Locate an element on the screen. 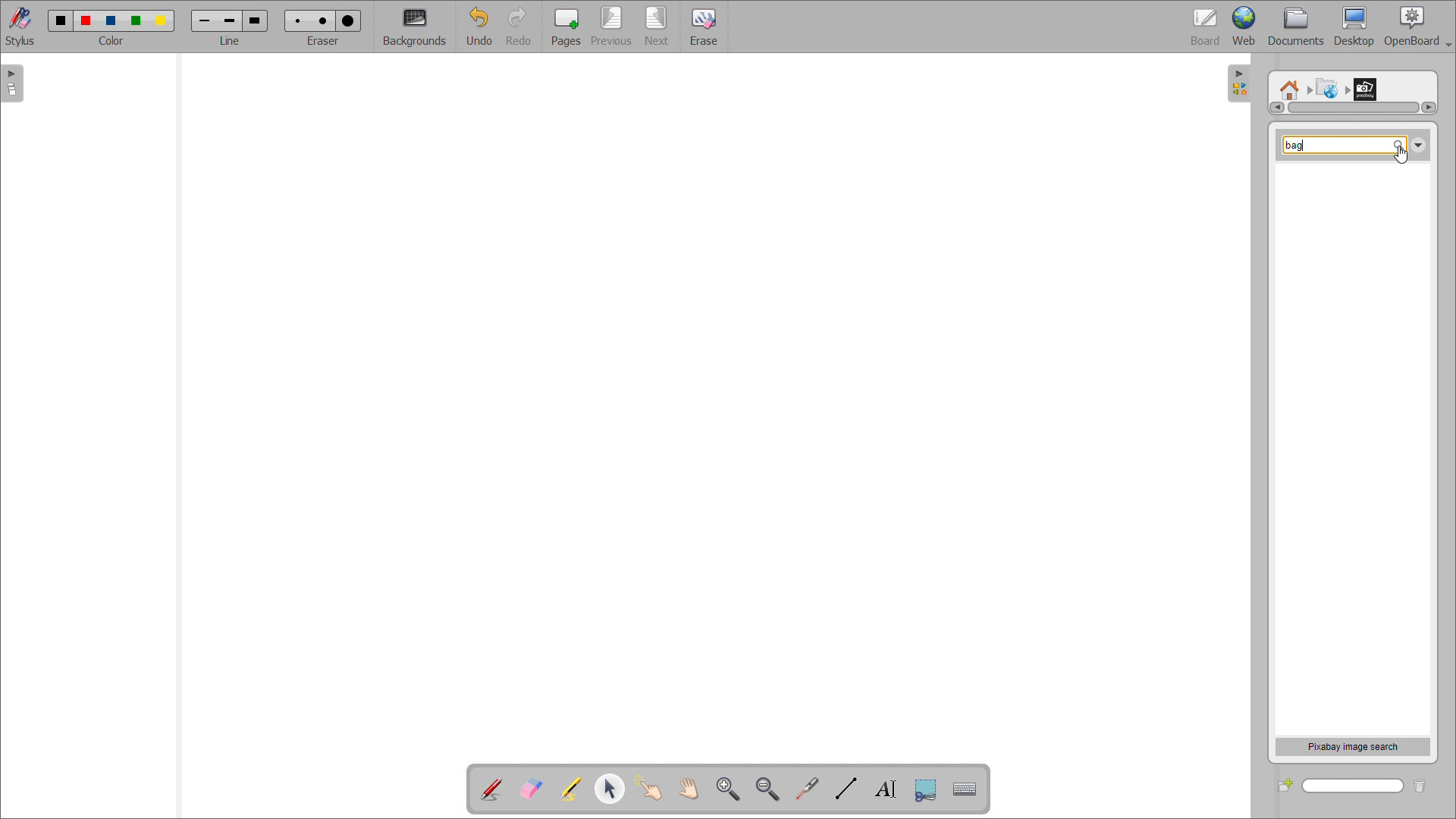  Small line is located at coordinates (205, 19).